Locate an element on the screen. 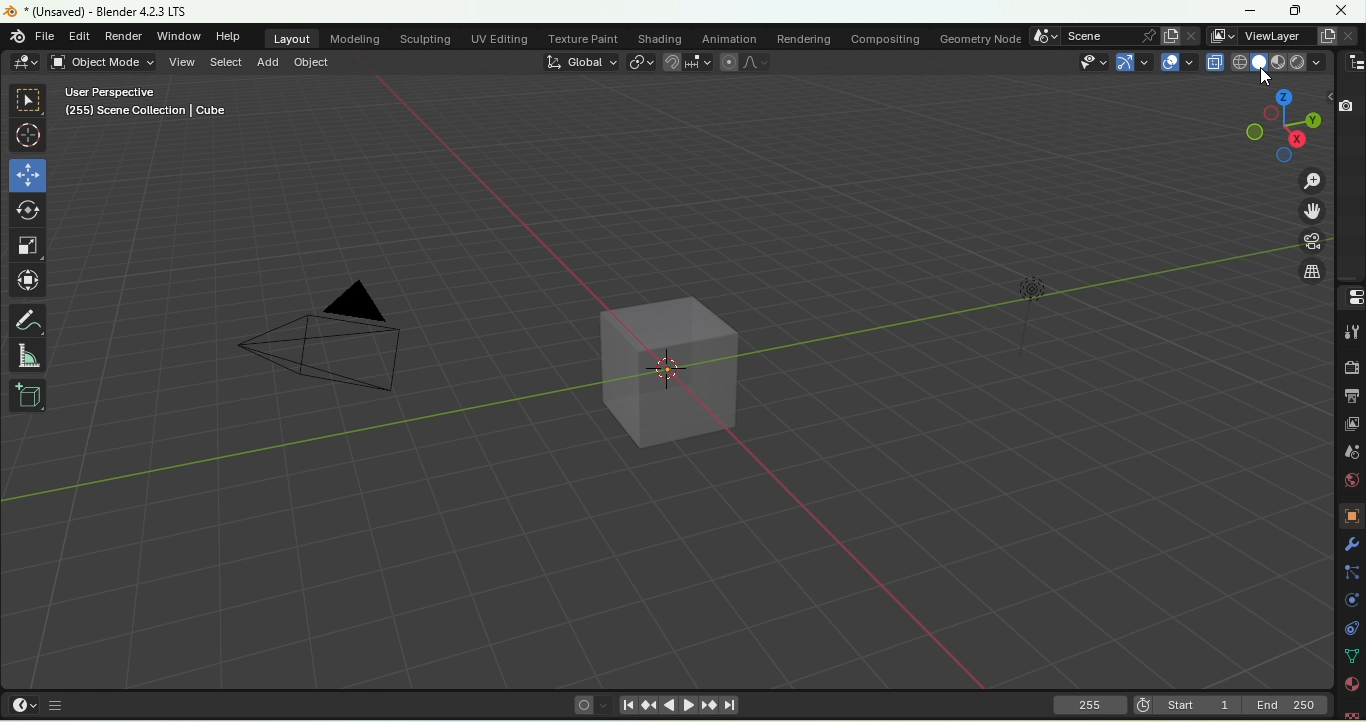  Scene is located at coordinates (1353, 456).